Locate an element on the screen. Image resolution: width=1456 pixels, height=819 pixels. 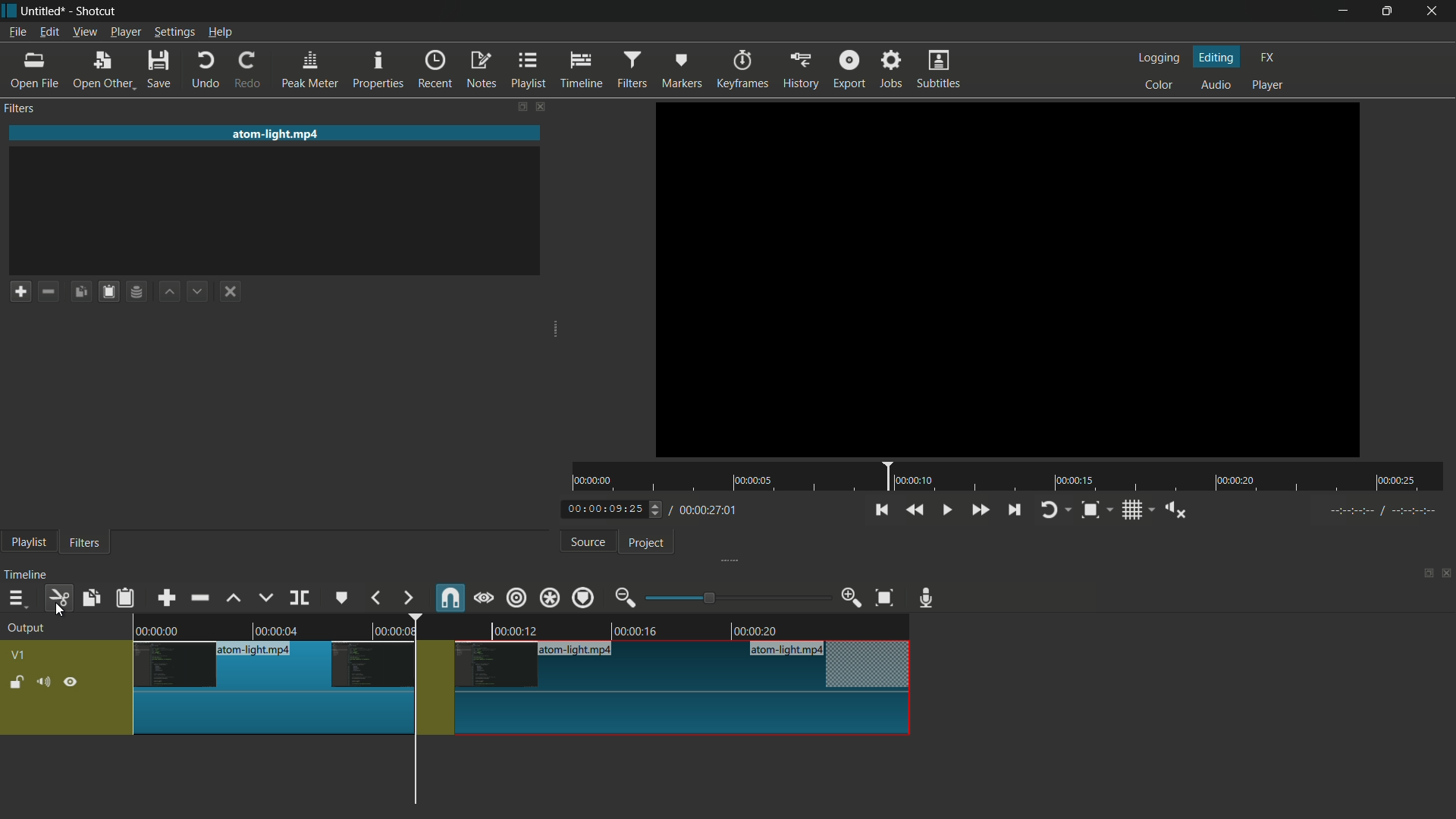
markers is located at coordinates (682, 71).